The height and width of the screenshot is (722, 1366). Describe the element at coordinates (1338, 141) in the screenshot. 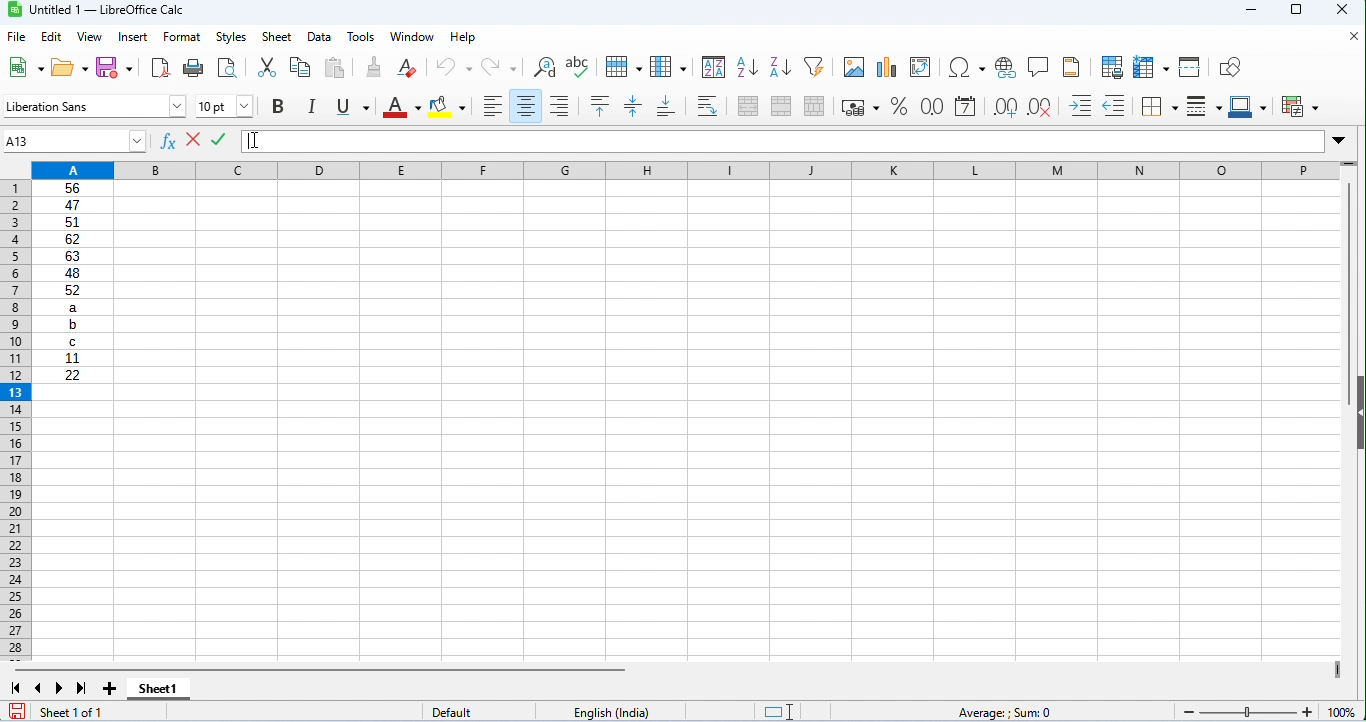

I see `Expand/Collapse` at that location.